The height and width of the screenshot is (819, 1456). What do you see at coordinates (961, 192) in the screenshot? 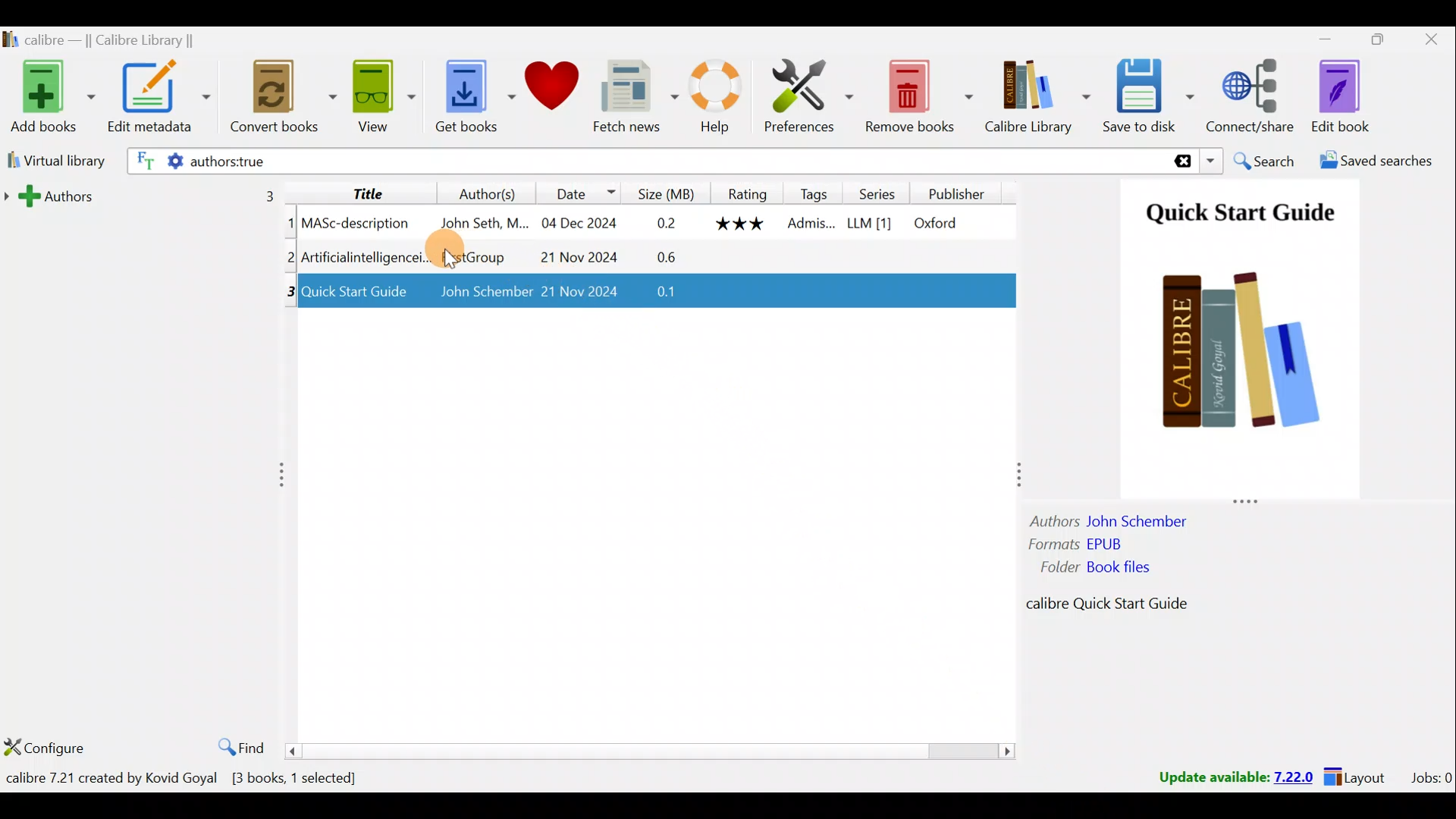
I see `Publisher` at bounding box center [961, 192].